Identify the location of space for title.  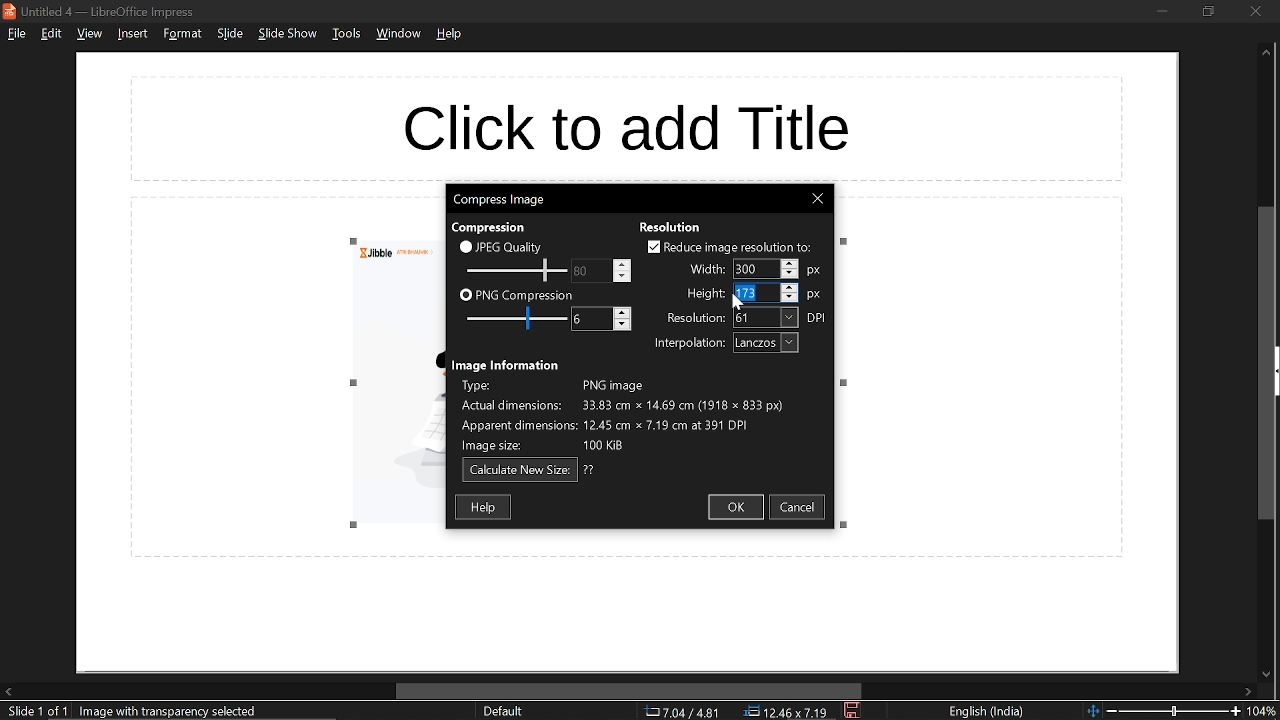
(646, 122).